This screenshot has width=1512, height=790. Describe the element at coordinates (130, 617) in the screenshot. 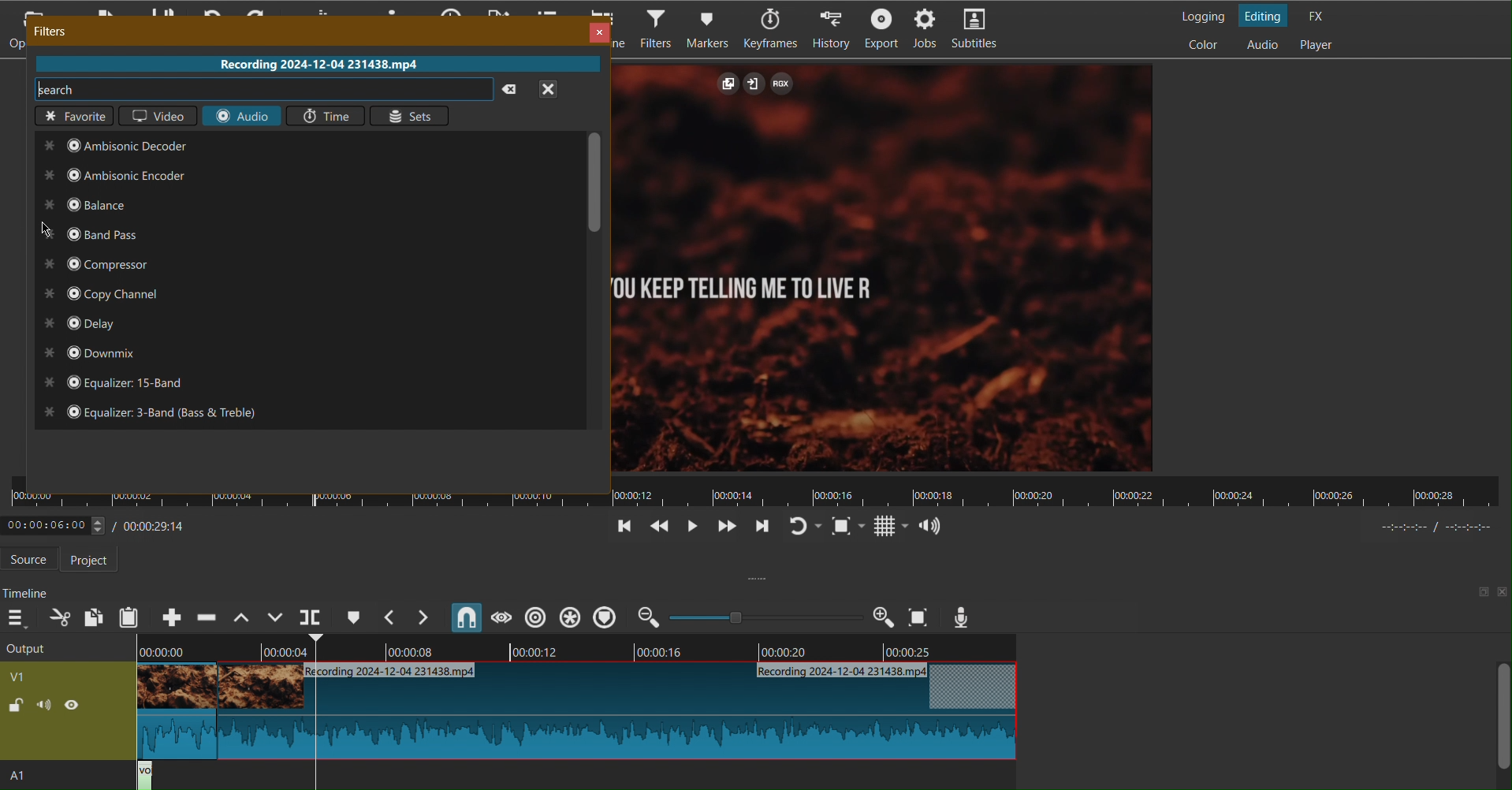

I see `Paste` at that location.